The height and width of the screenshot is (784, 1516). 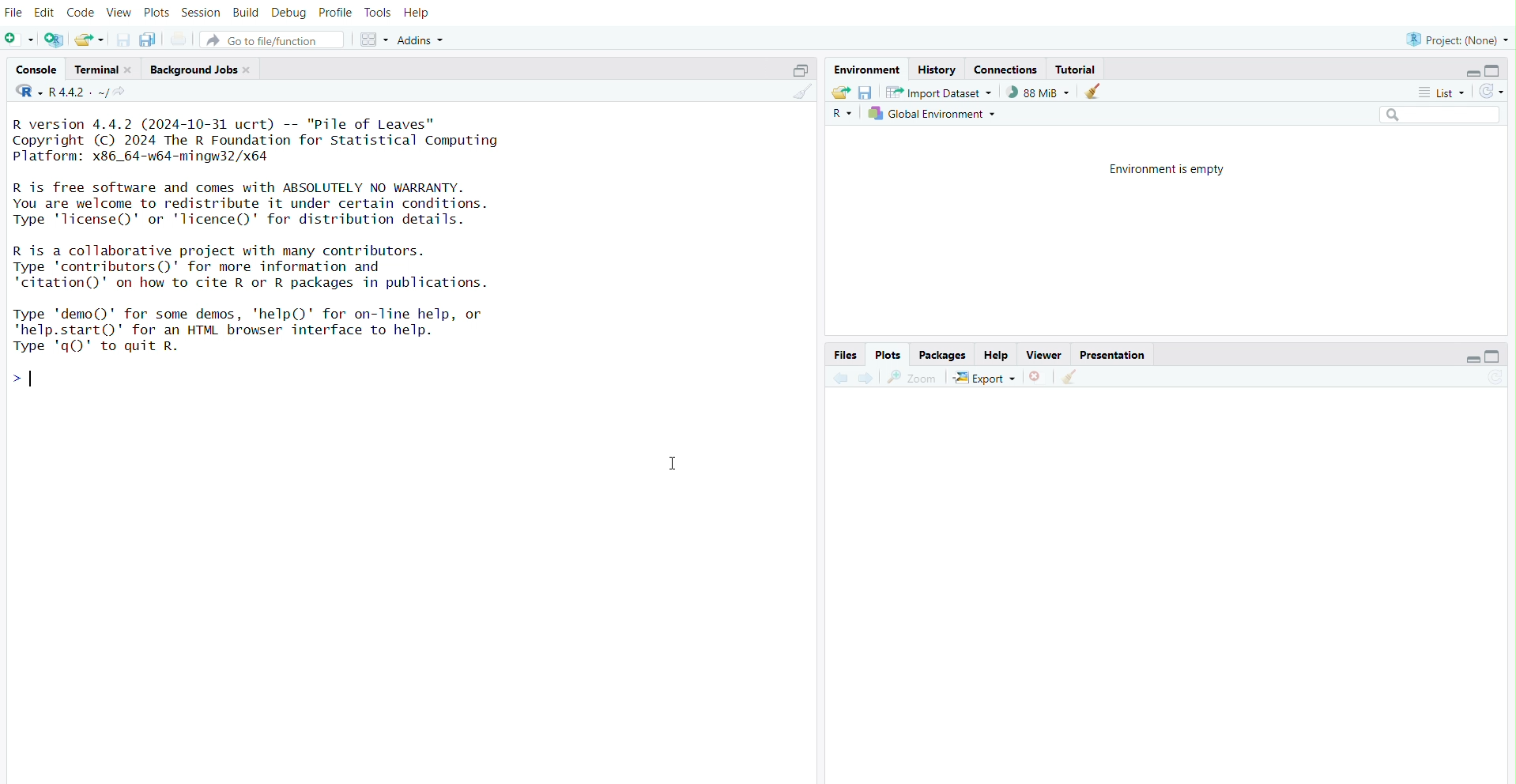 I want to click on remove the current plot, so click(x=1038, y=379).